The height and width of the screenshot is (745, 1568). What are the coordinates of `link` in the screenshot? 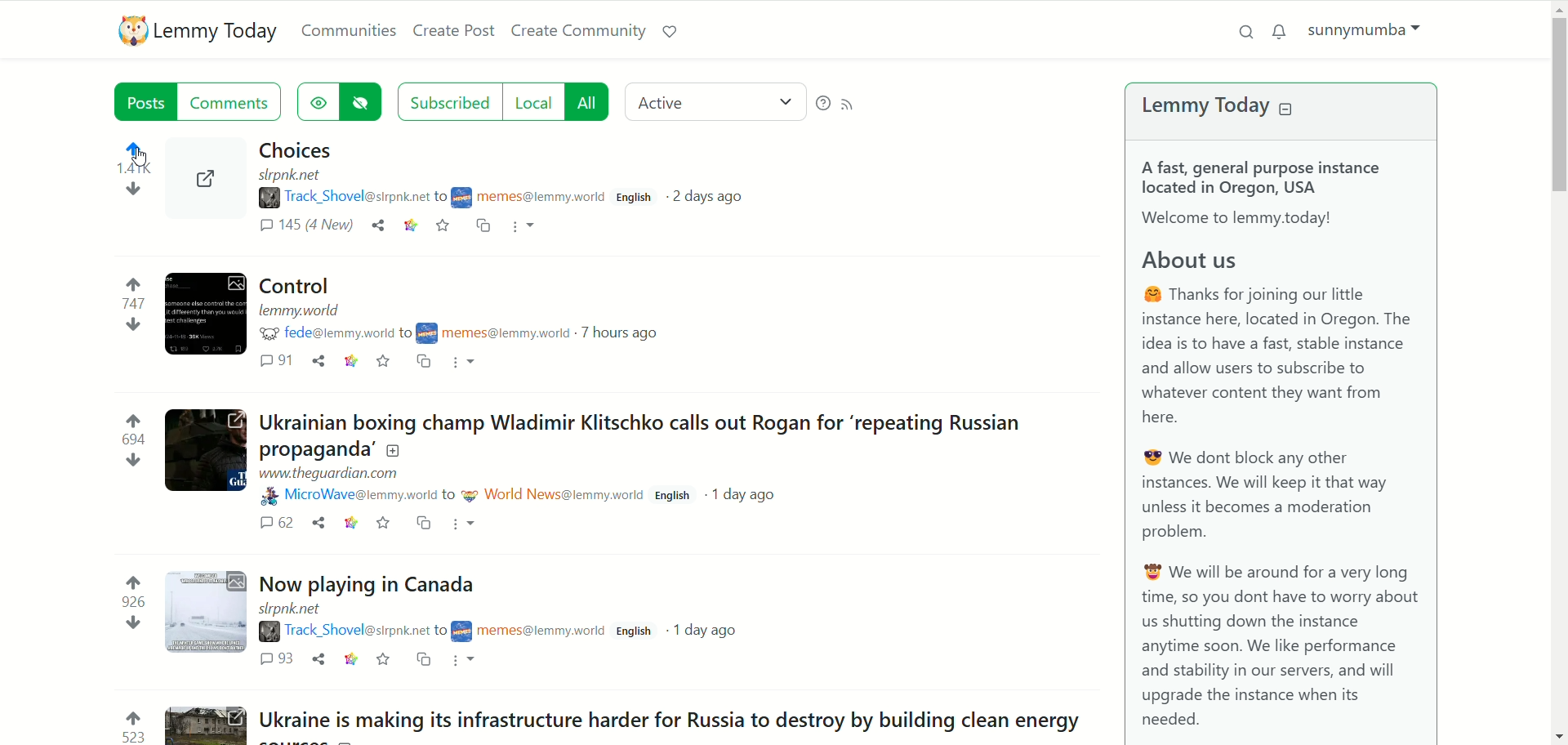 It's located at (353, 660).